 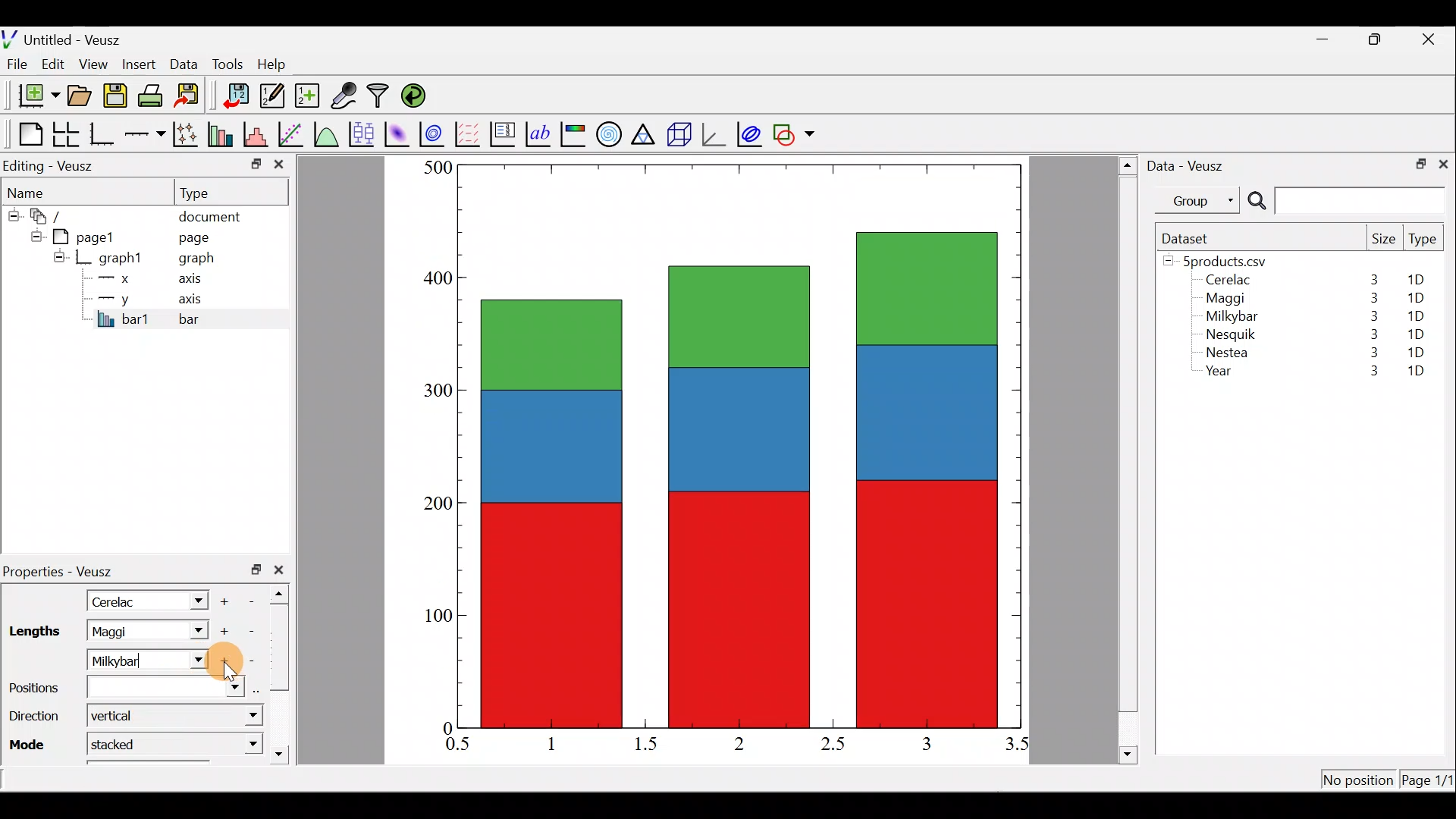 I want to click on Create new dataset using ranges, parametrically, or as functions of existing datasets., so click(x=309, y=96).